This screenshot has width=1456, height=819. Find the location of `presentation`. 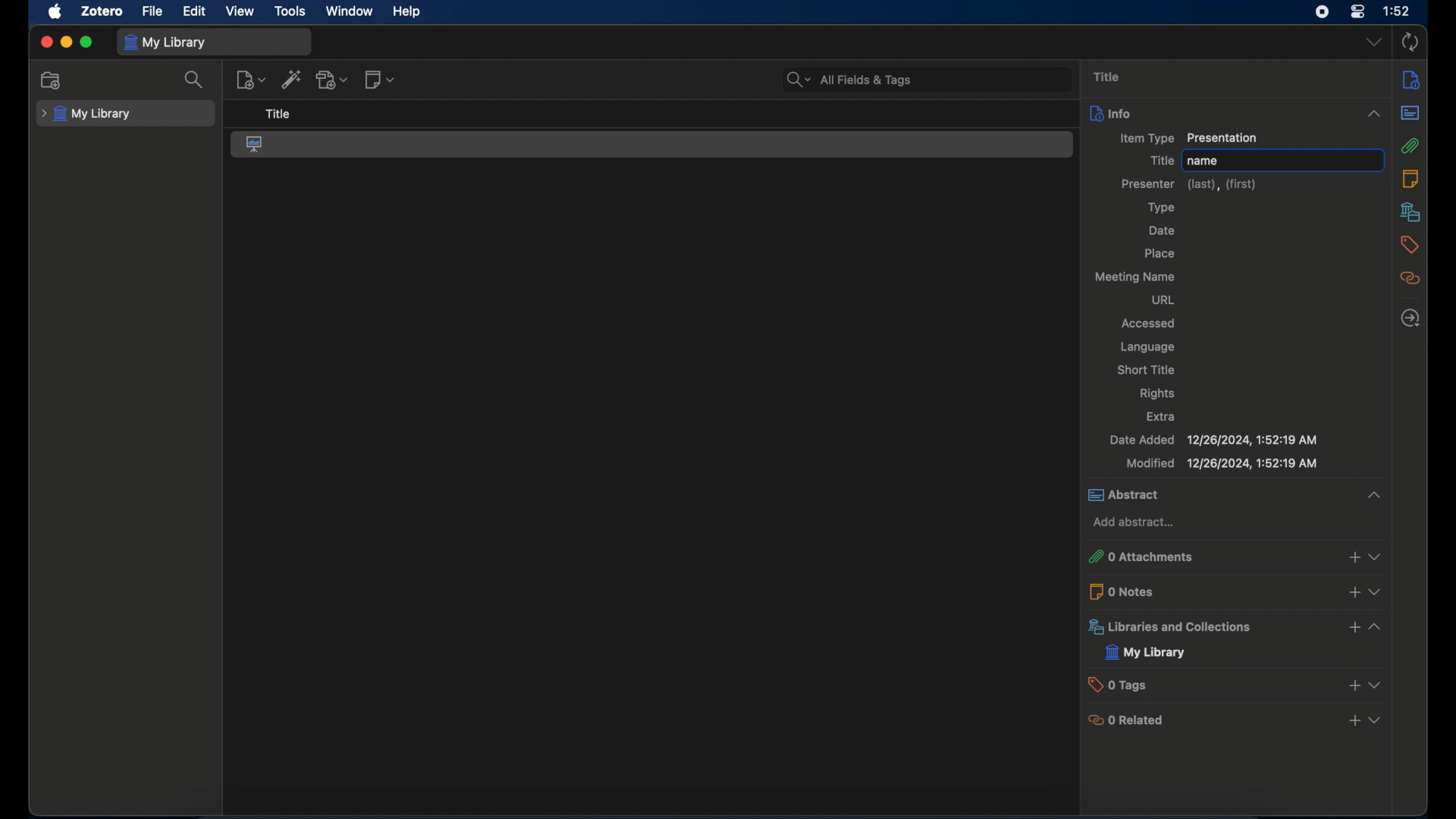

presentation is located at coordinates (256, 143).